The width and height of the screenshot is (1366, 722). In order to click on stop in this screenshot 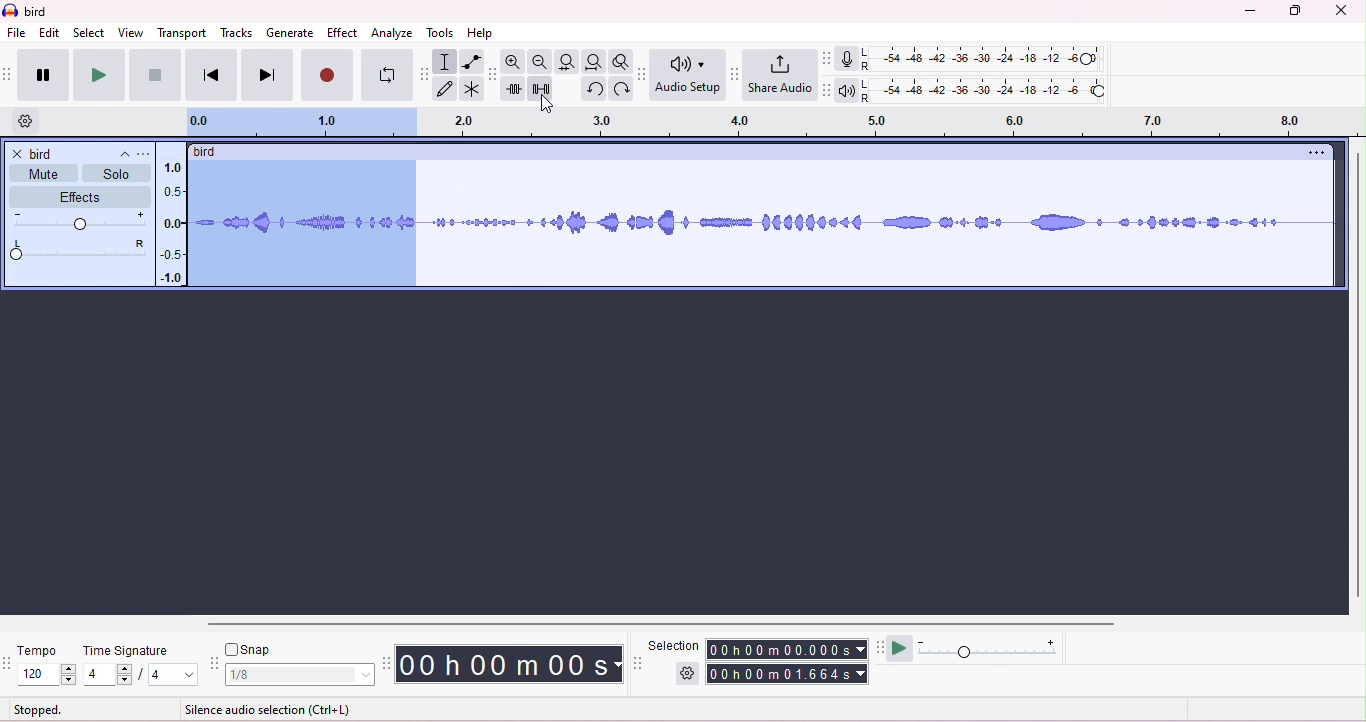, I will do `click(155, 75)`.